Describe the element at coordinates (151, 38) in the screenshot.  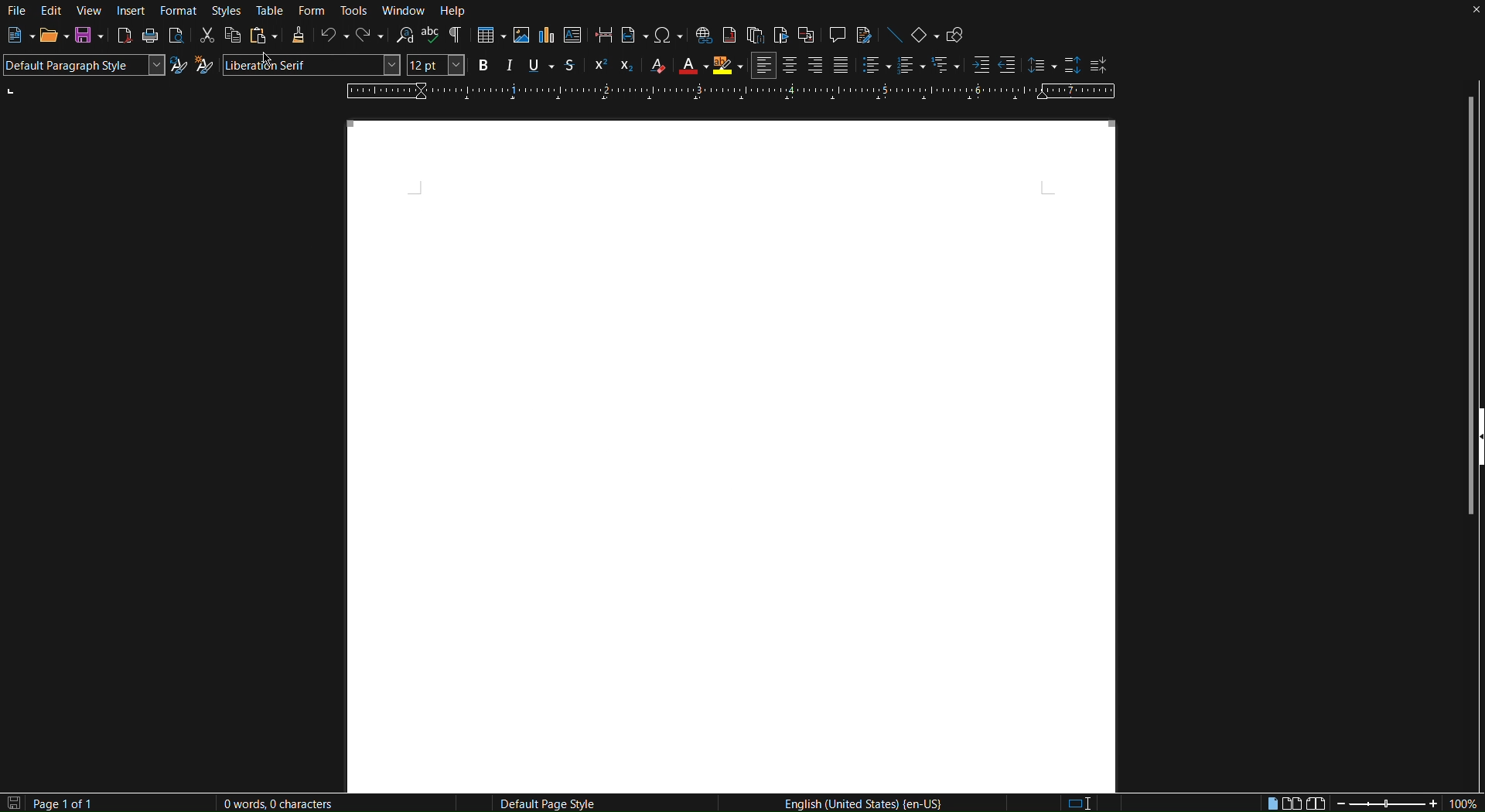
I see `Print` at that location.